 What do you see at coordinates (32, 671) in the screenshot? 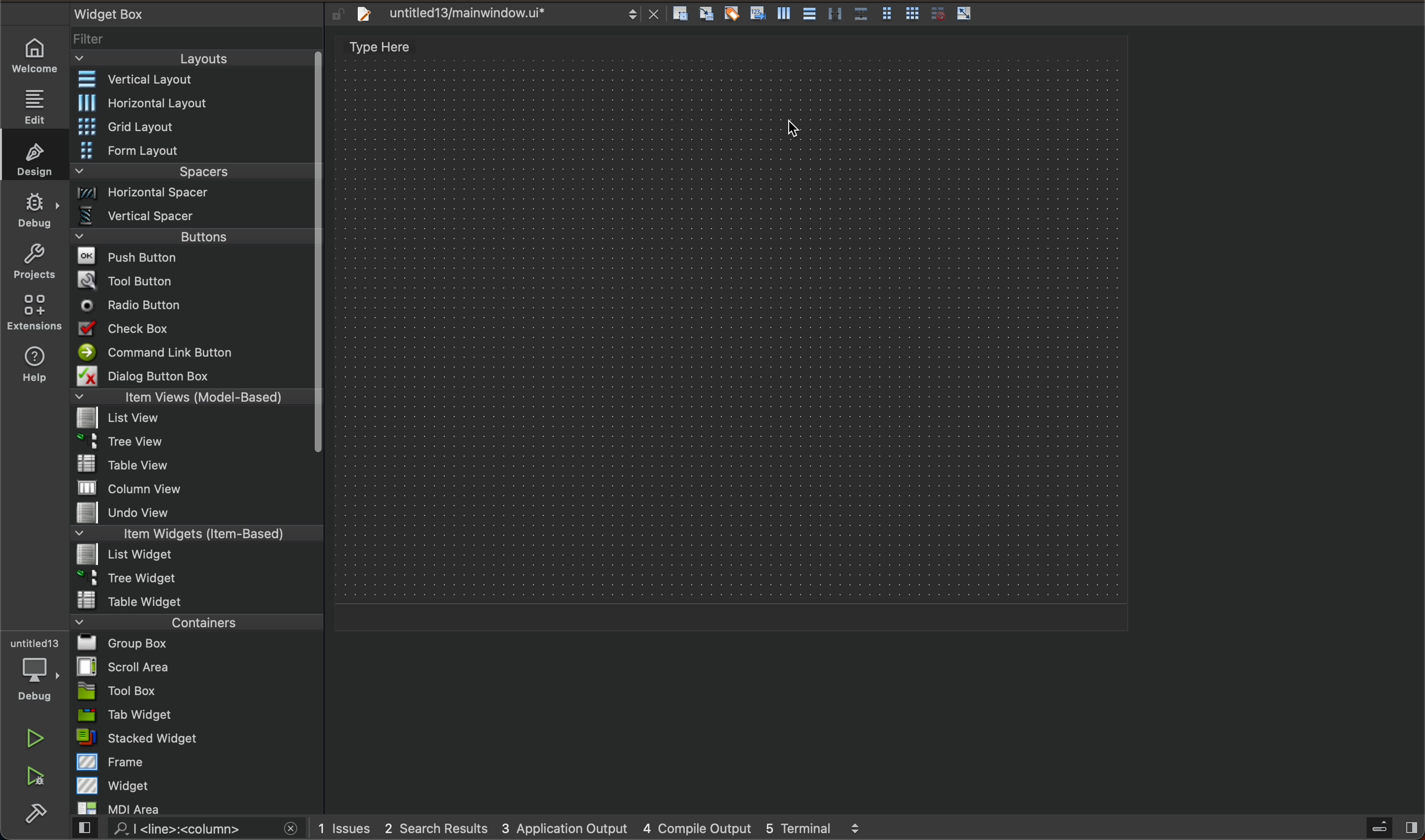
I see `debug` at bounding box center [32, 671].